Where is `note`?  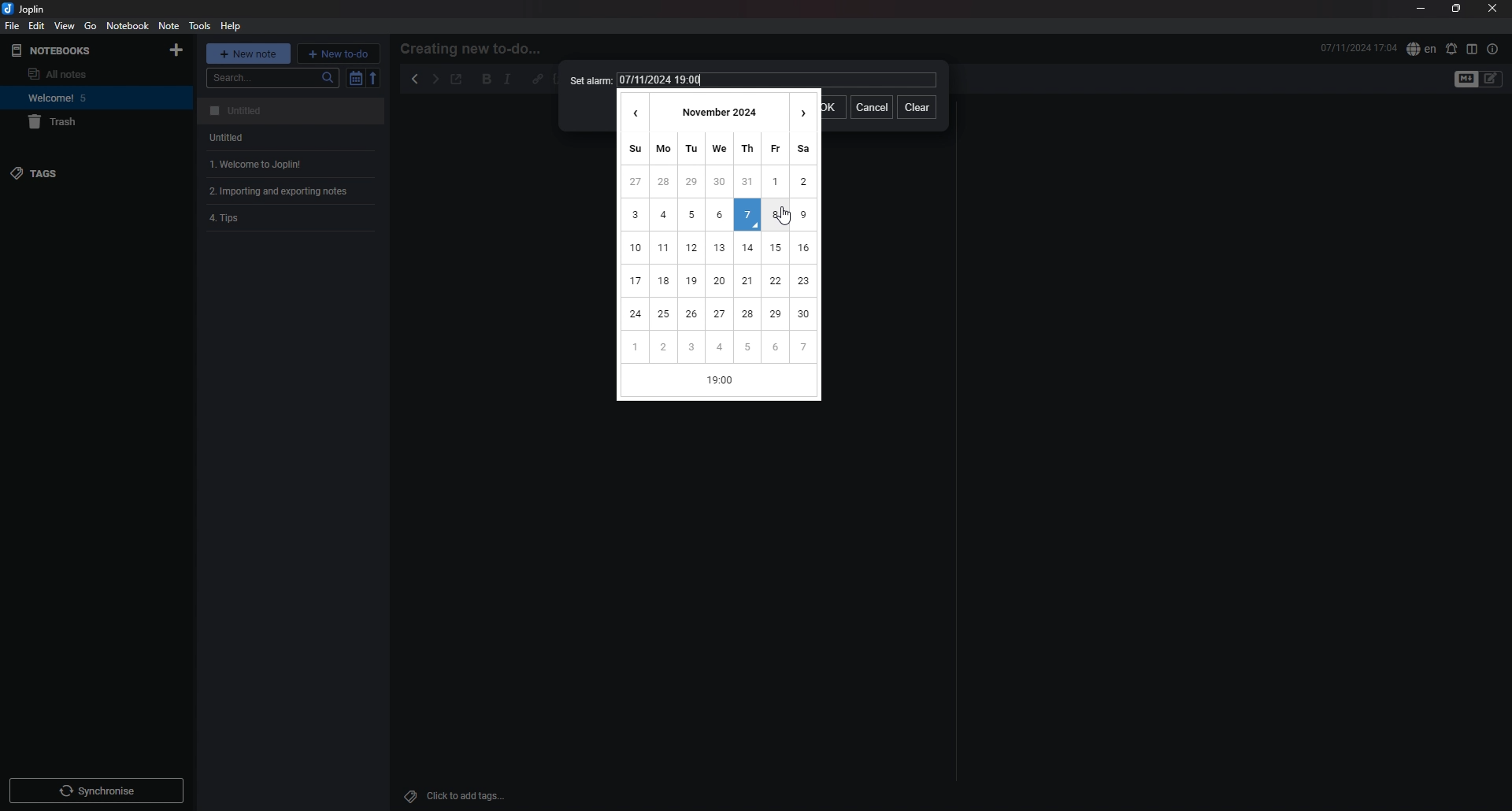 note is located at coordinates (292, 137).